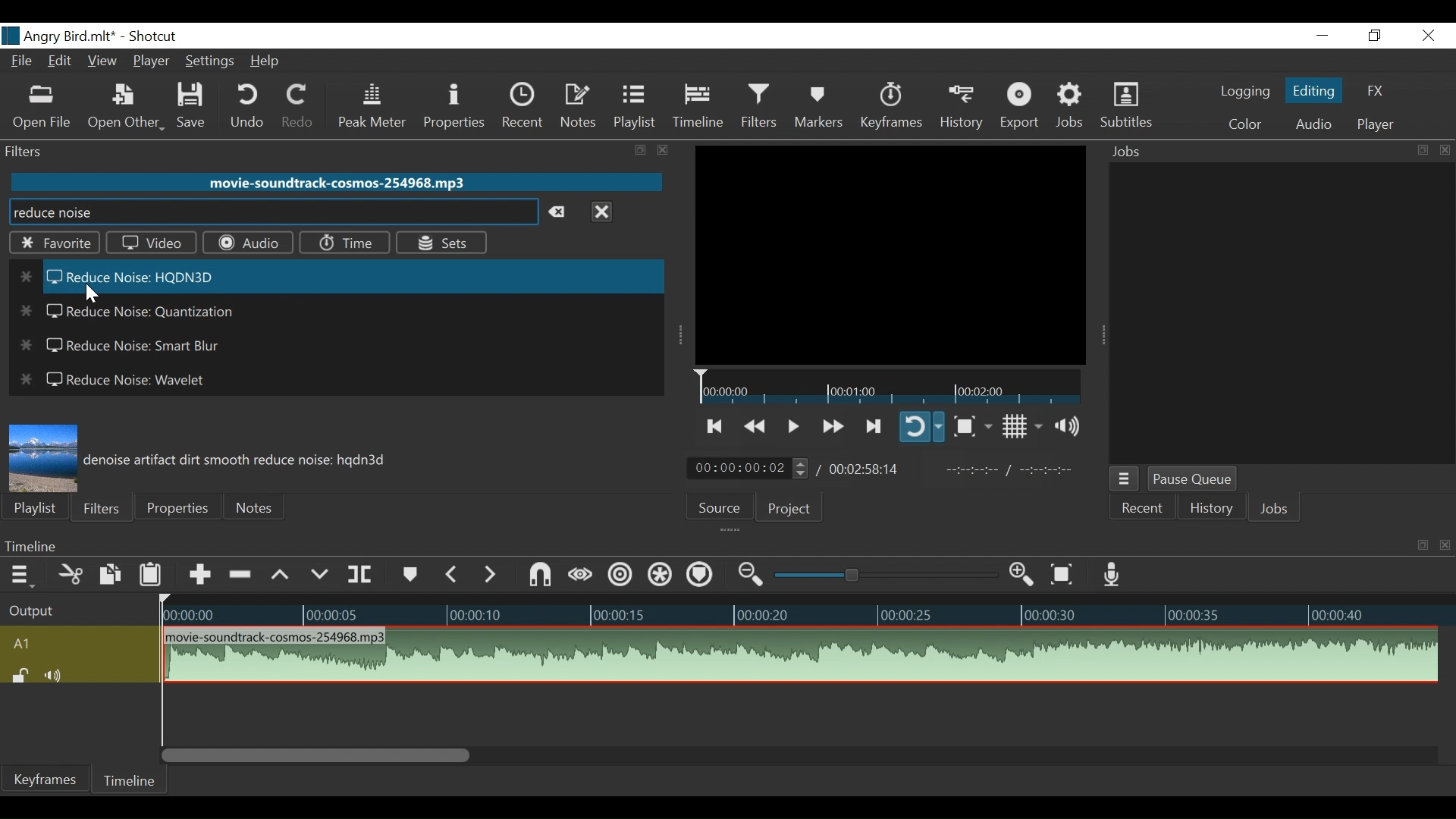  I want to click on Notes, so click(257, 505).